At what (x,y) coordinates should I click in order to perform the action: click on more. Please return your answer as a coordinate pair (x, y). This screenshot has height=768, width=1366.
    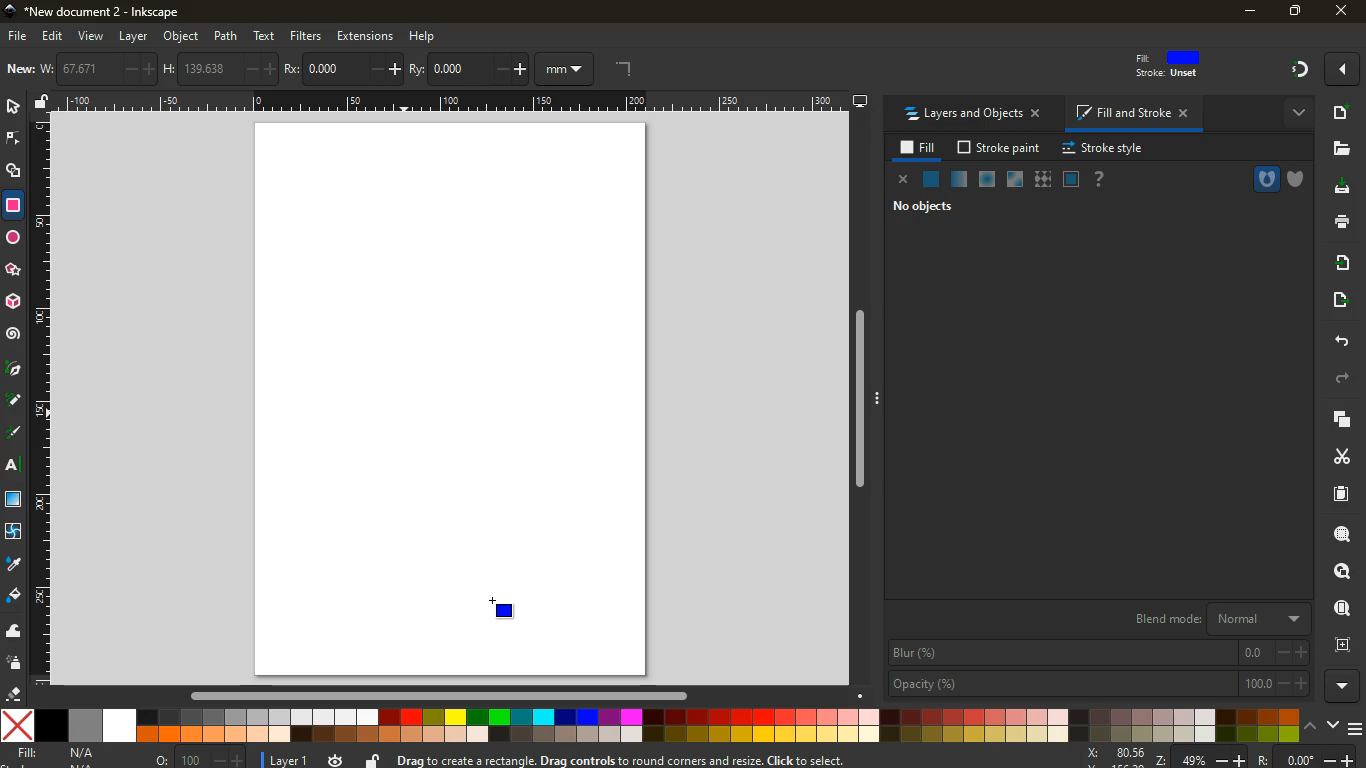
    Looking at the image, I should click on (1345, 684).